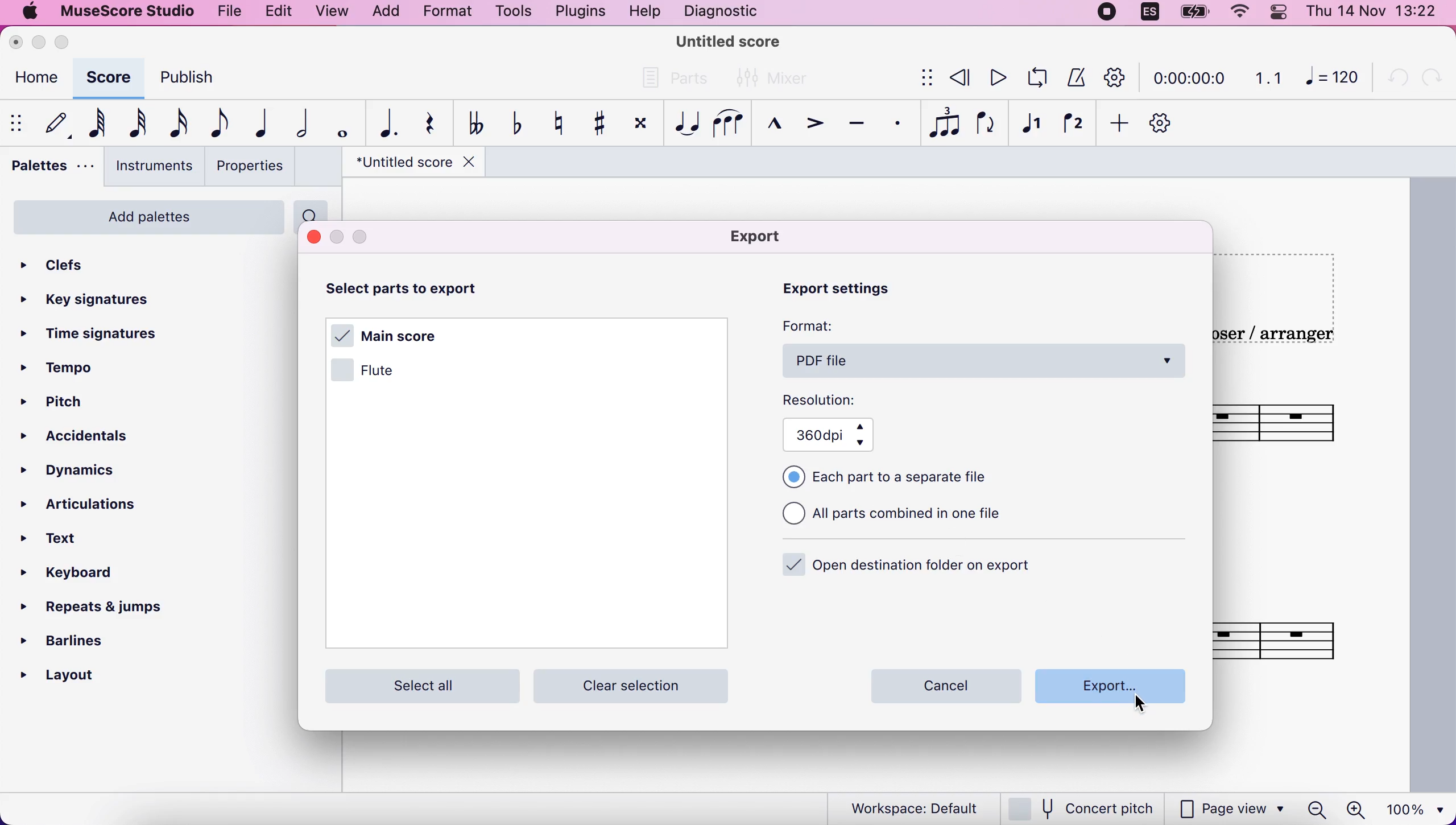 The width and height of the screenshot is (1456, 825). Describe the element at coordinates (380, 370) in the screenshot. I see `flute` at that location.